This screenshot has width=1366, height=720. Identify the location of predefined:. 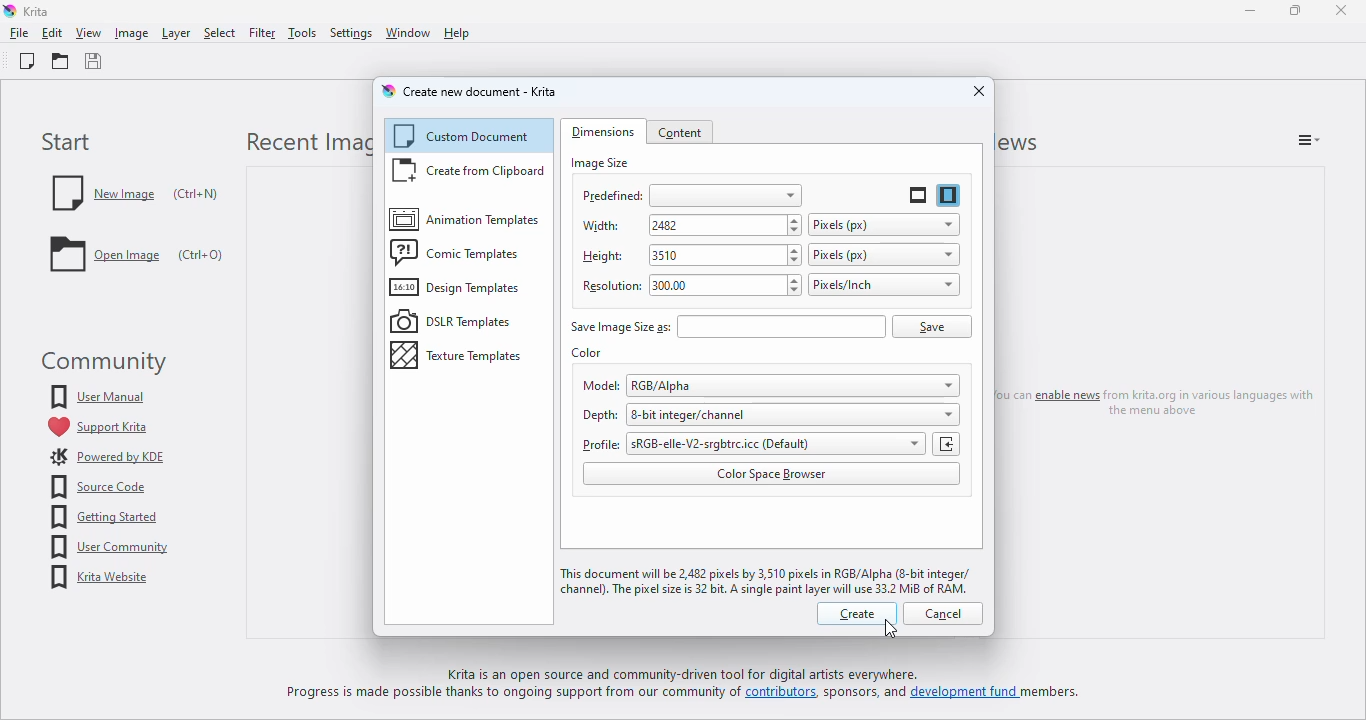
(692, 196).